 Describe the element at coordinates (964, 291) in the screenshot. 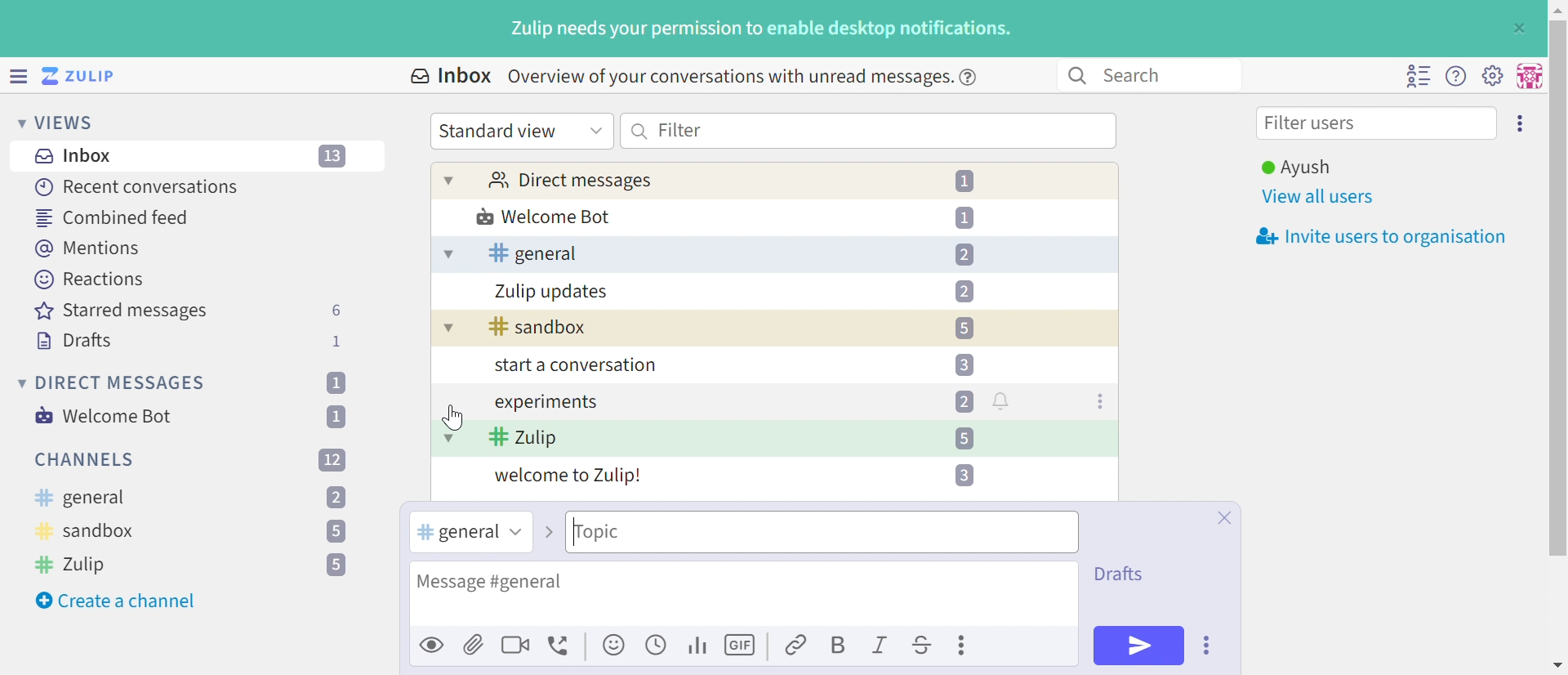

I see `2` at that location.